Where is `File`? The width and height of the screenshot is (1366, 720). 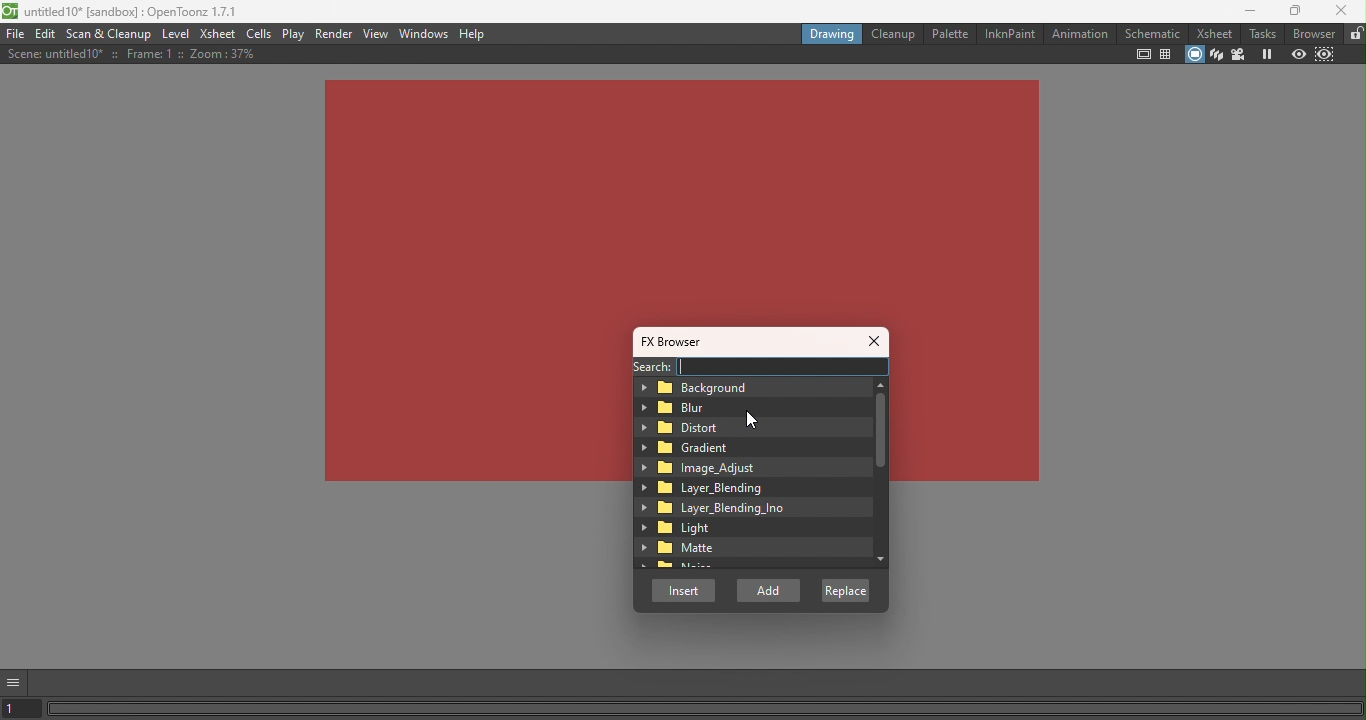 File is located at coordinates (15, 34).